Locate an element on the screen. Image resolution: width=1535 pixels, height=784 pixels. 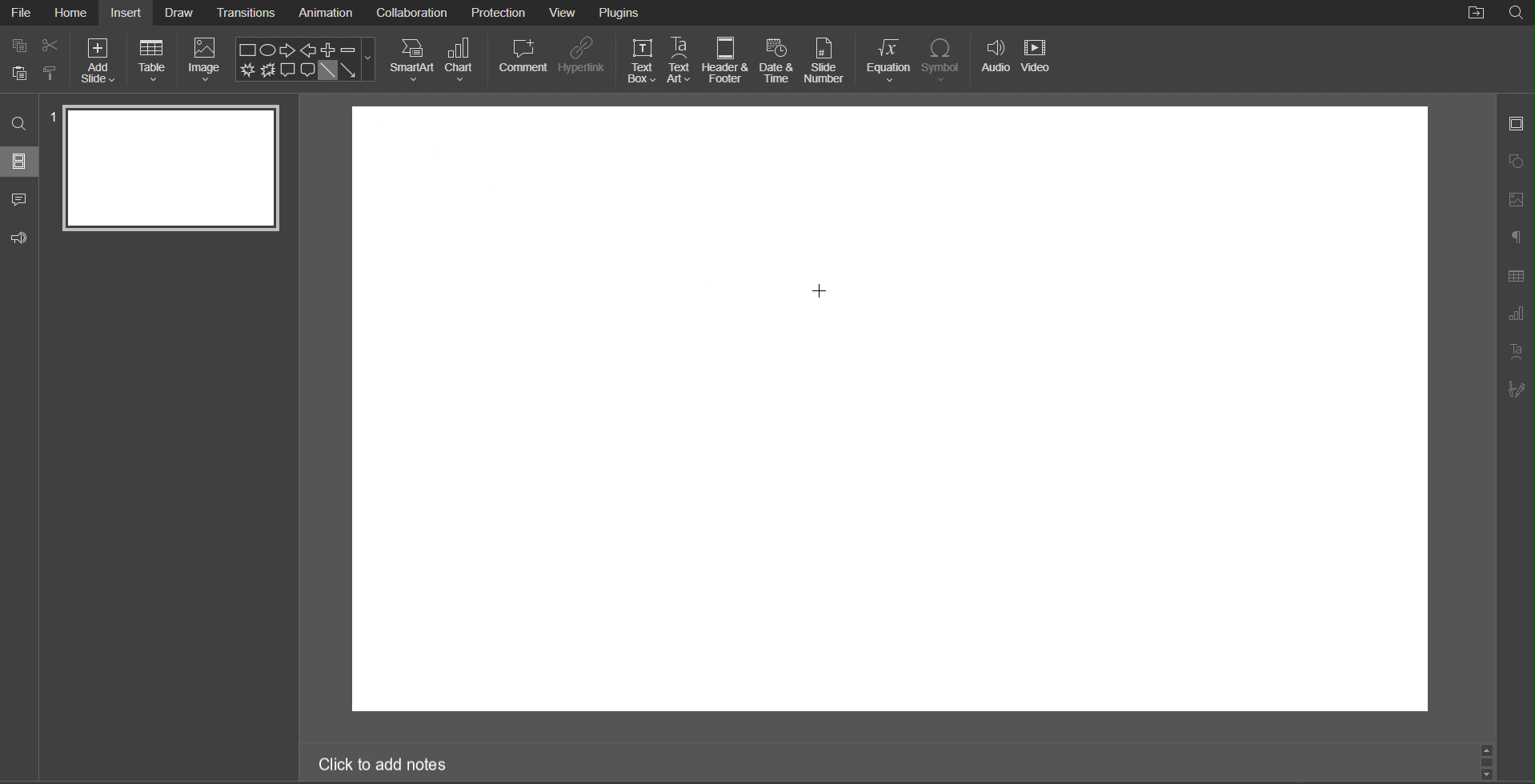
Video is located at coordinates (1041, 59).